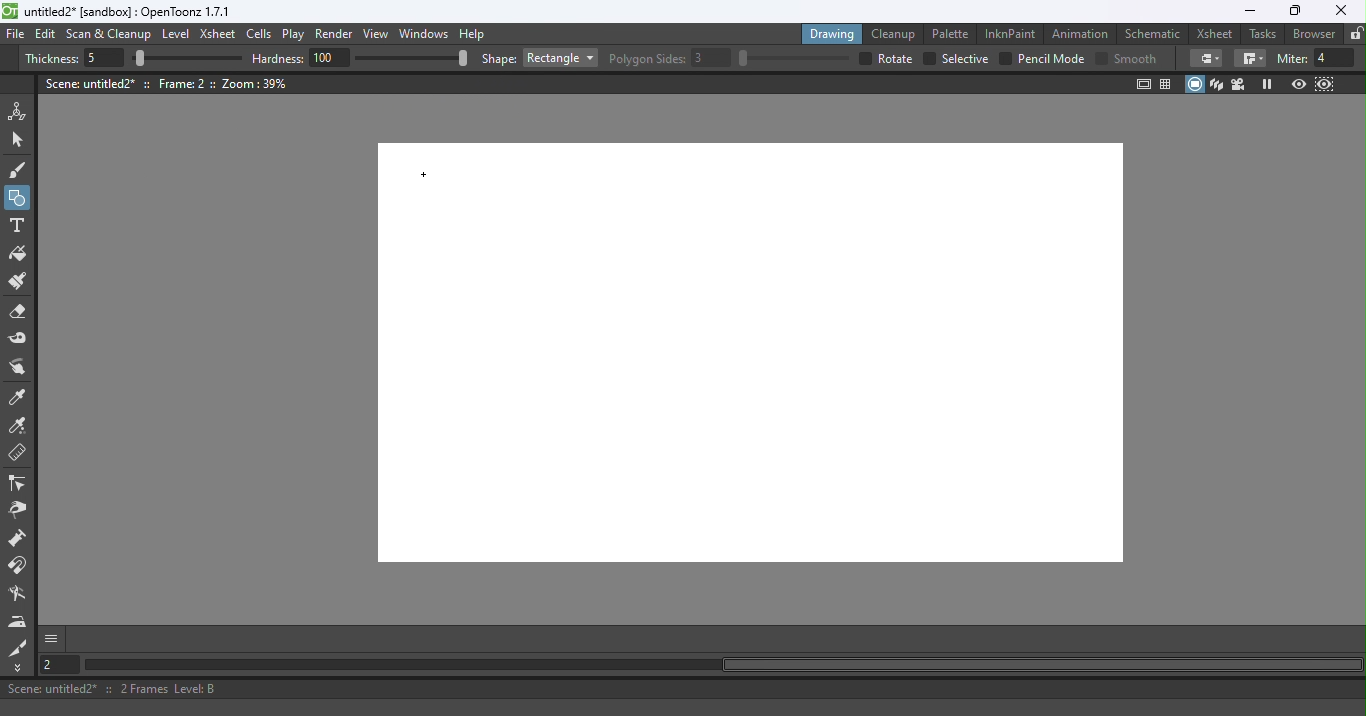  I want to click on Set the current frame, so click(57, 664).